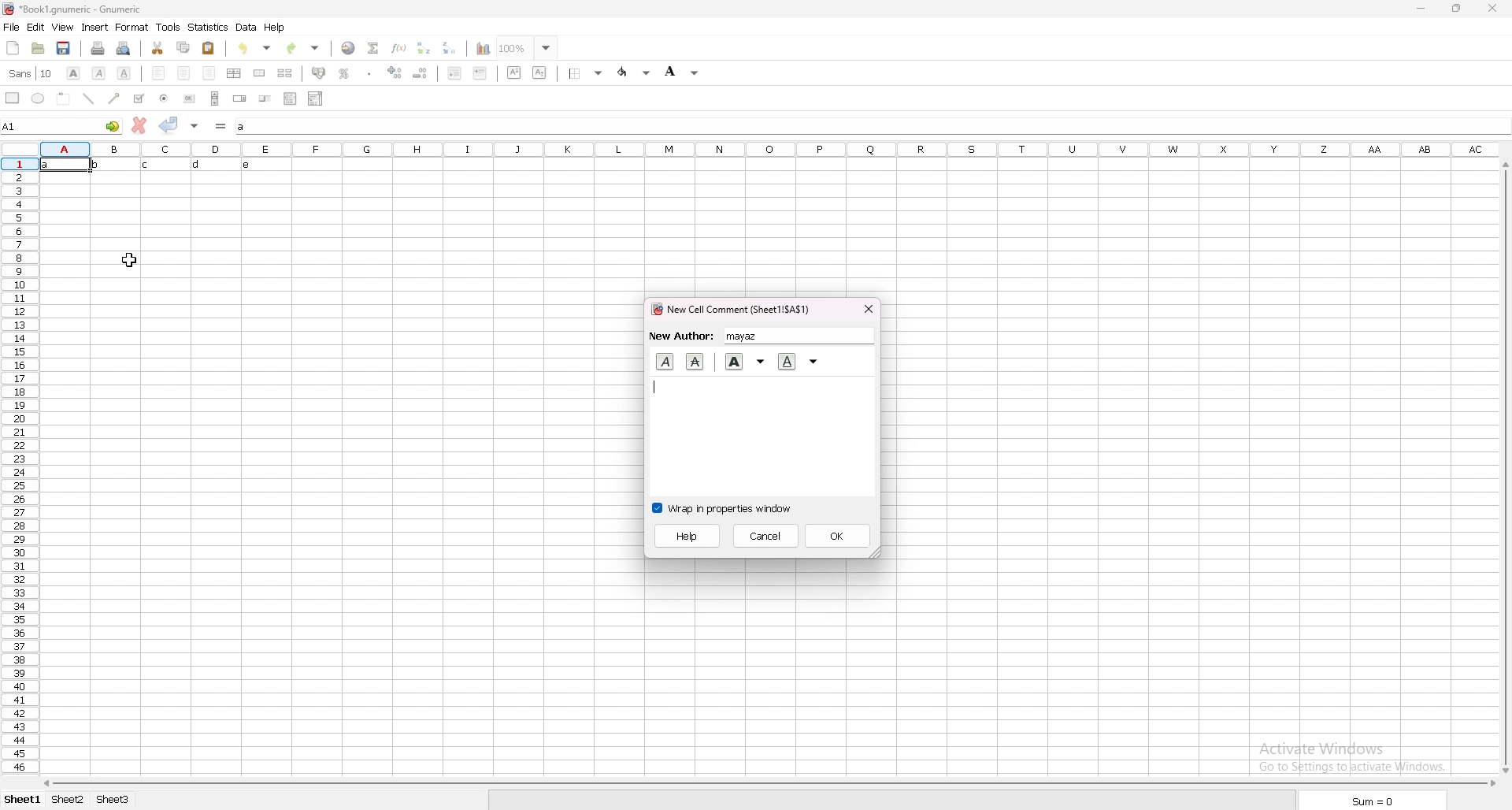  I want to click on insert, so click(96, 28).